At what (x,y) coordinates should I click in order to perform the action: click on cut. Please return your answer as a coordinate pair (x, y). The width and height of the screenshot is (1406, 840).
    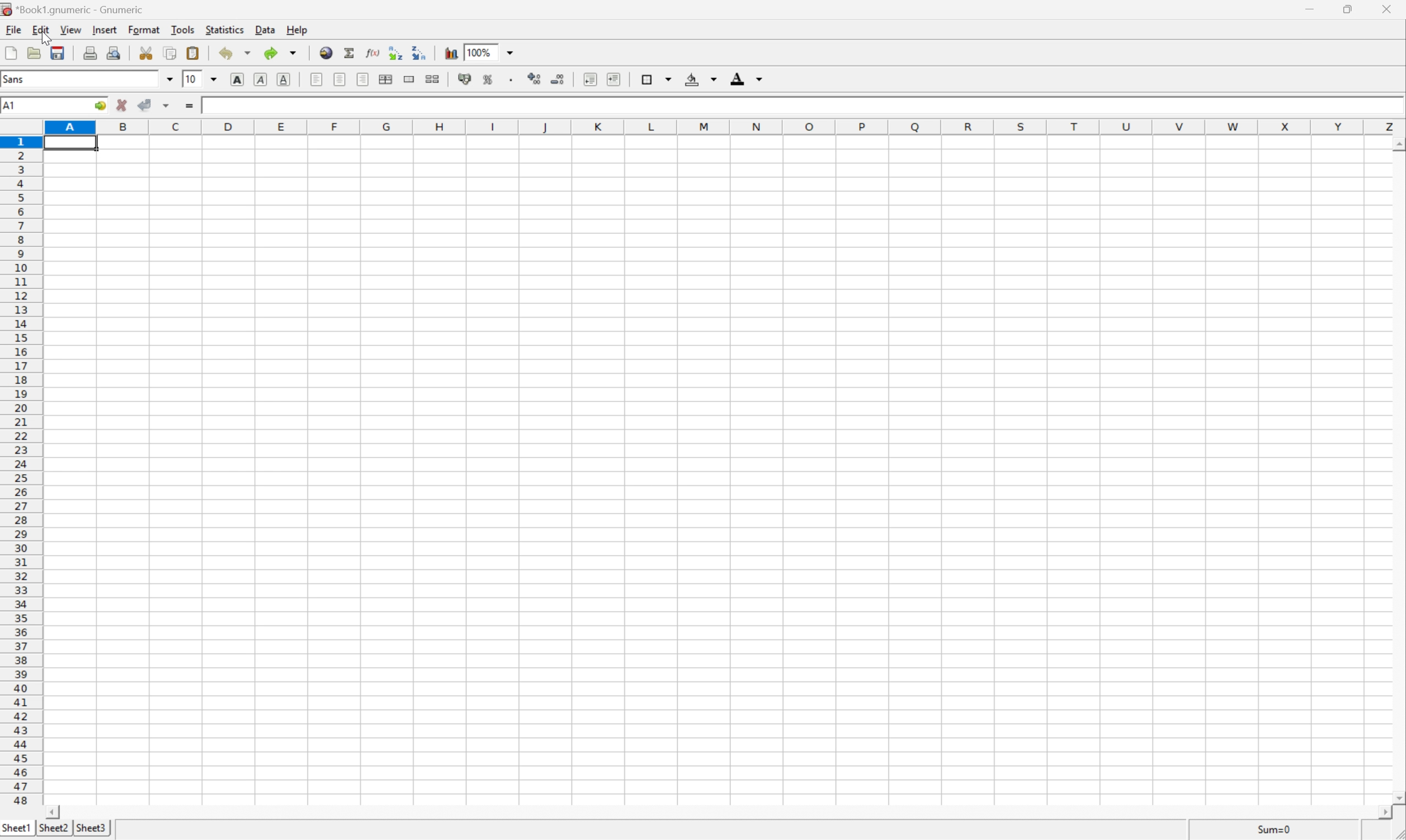
    Looking at the image, I should click on (145, 52).